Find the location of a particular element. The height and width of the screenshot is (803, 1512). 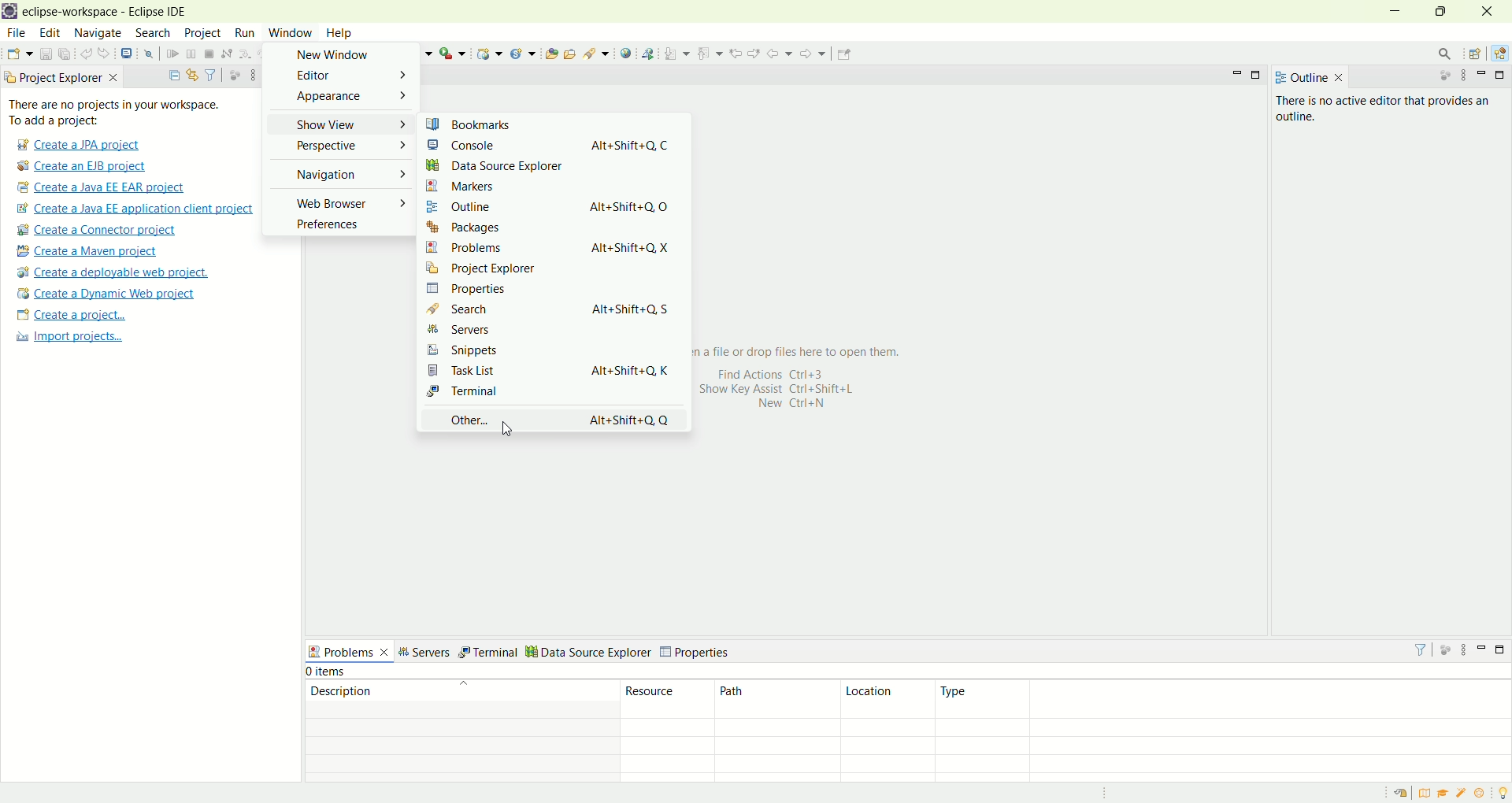

close is located at coordinates (1492, 12).